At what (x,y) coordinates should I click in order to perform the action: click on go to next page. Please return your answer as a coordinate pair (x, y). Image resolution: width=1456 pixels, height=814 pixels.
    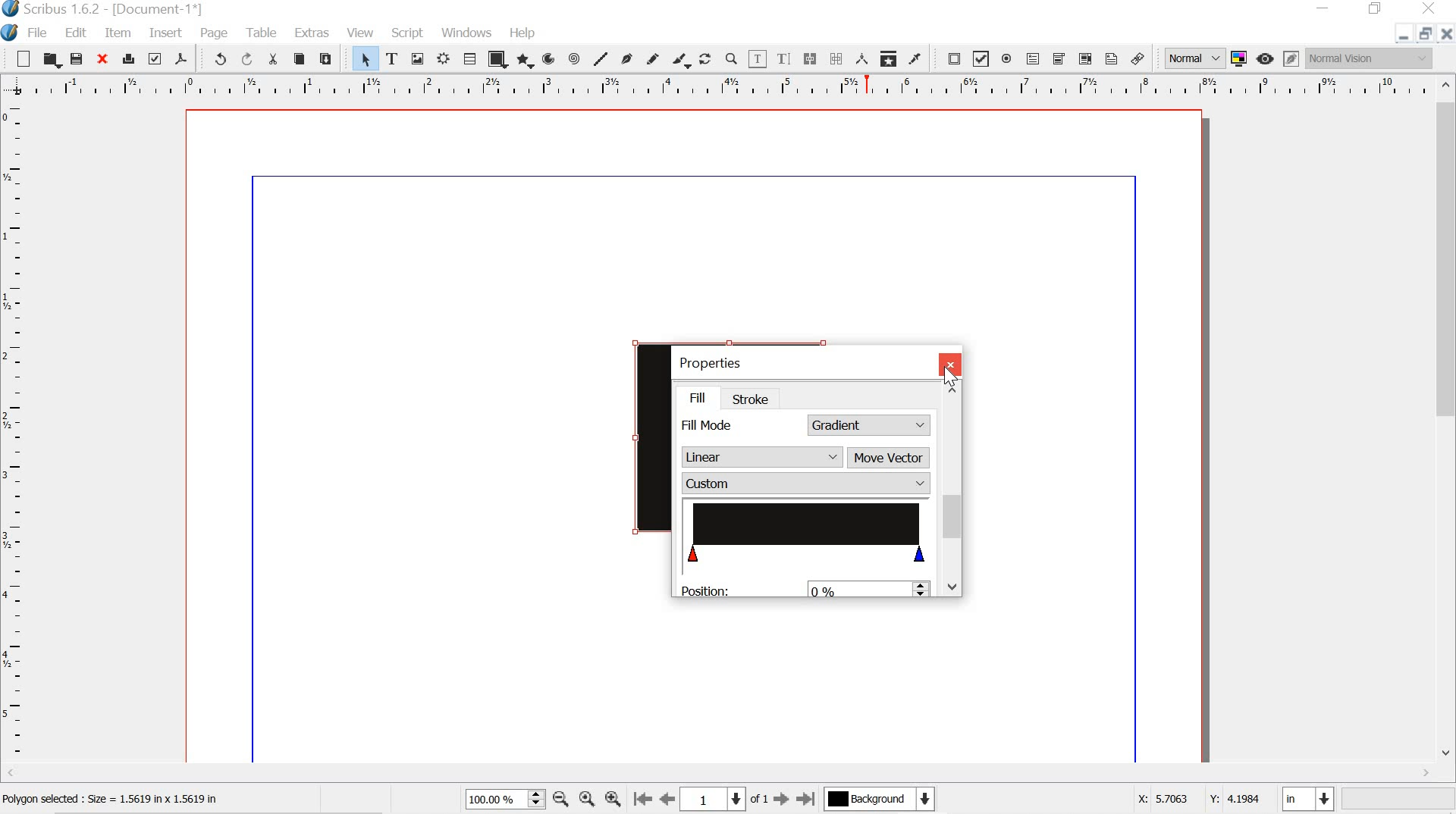
    Looking at the image, I should click on (781, 800).